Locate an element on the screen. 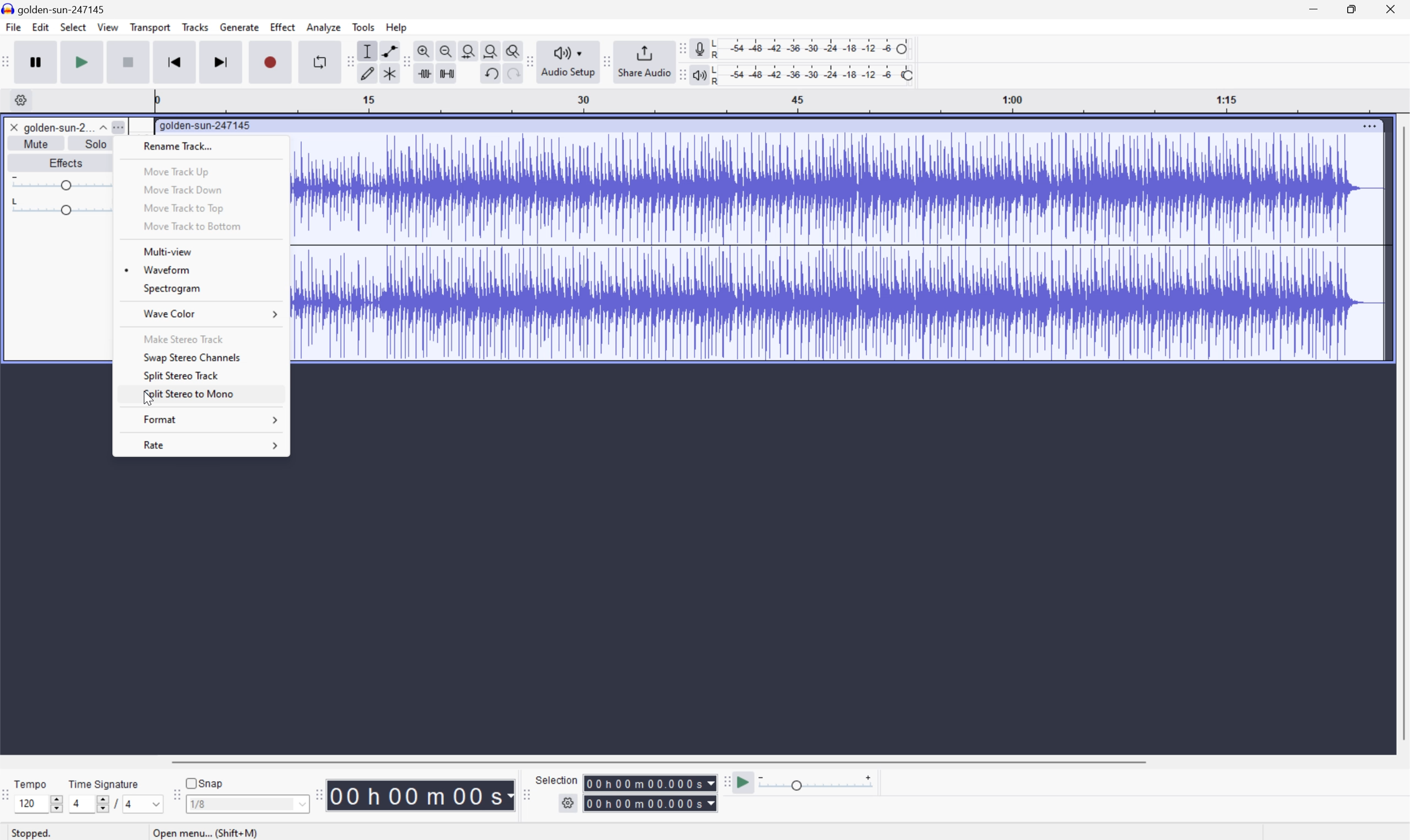 The height and width of the screenshot is (840, 1410). Tempo is located at coordinates (32, 783).